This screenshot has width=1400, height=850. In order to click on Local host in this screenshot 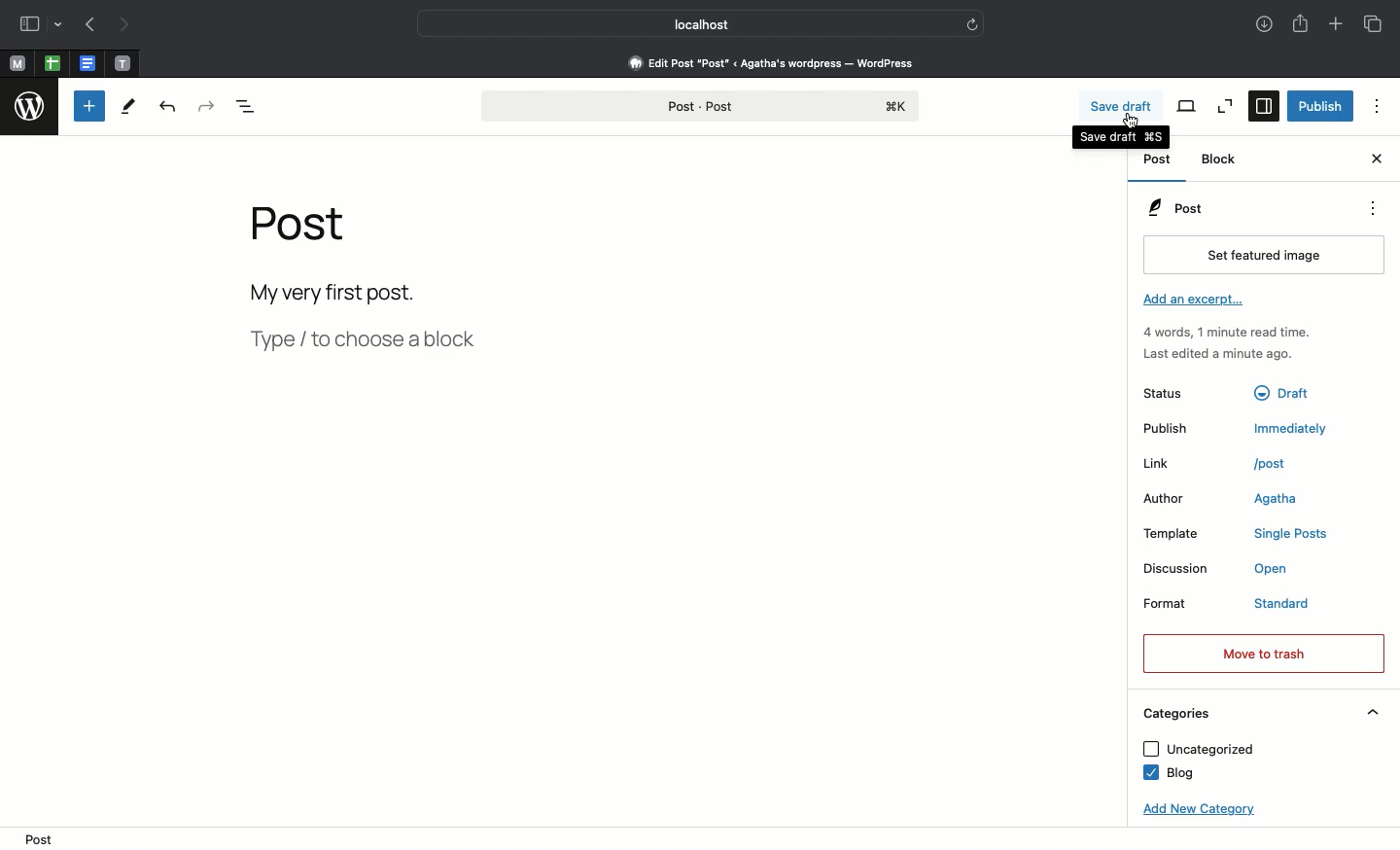, I will do `click(688, 23)`.